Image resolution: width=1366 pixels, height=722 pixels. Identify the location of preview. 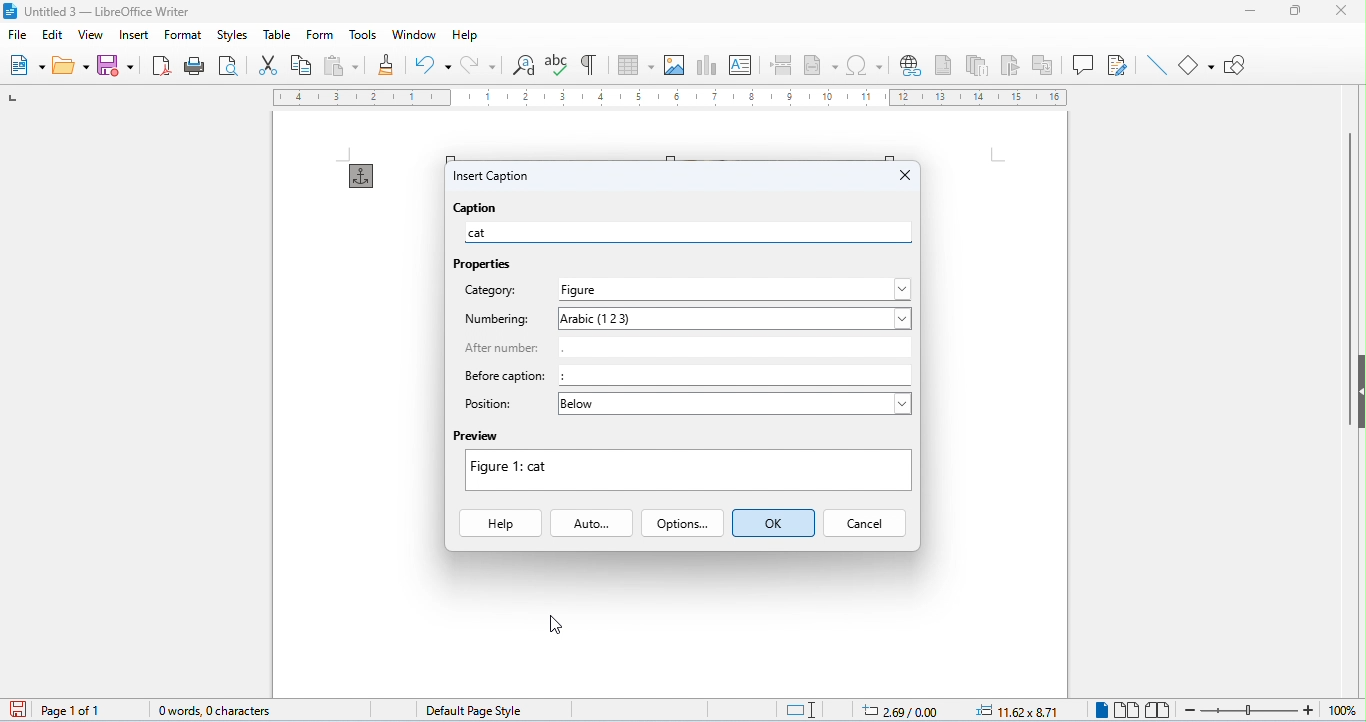
(474, 436).